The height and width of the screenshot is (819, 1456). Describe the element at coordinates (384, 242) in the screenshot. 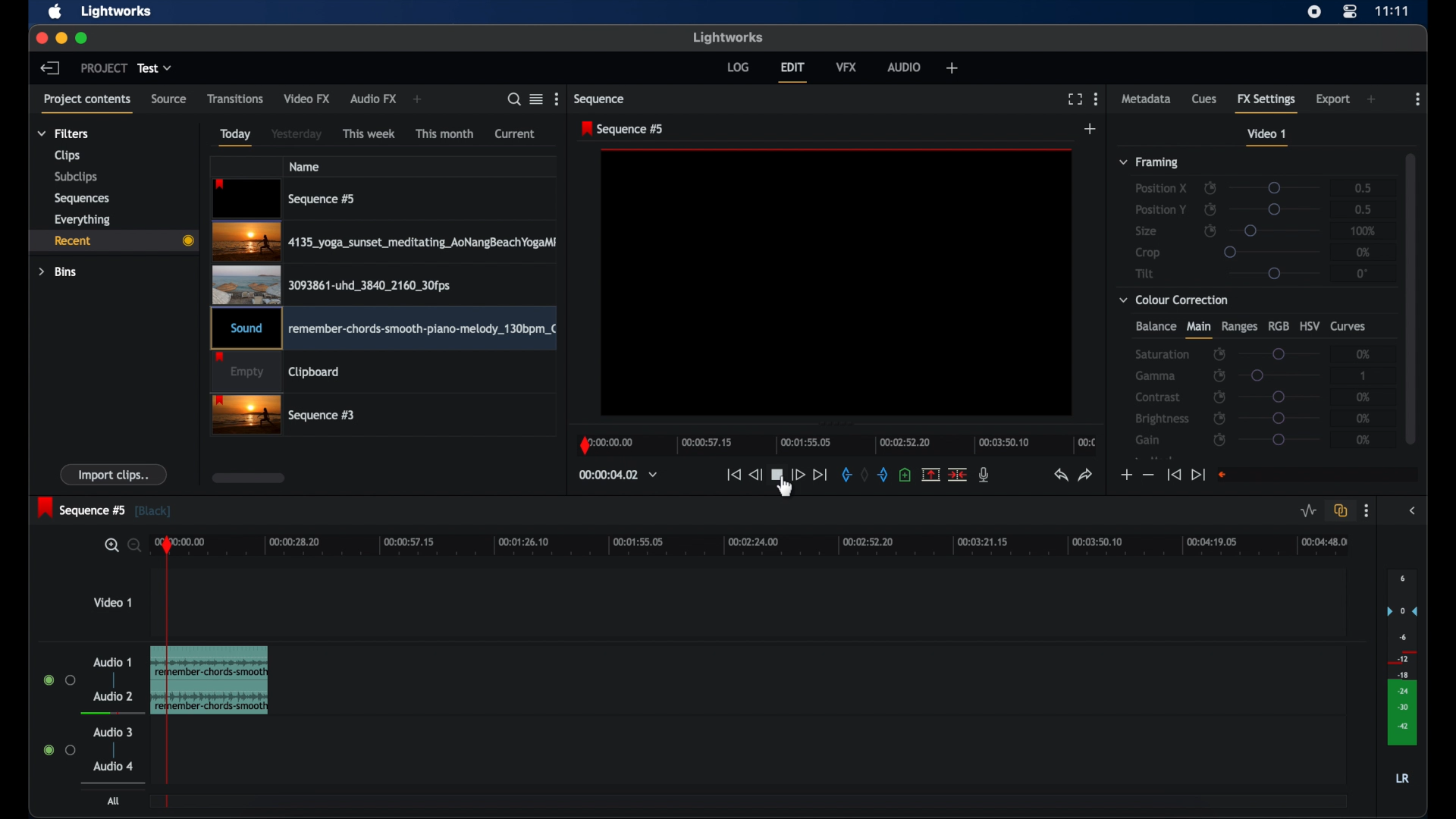

I see `video clip` at that location.